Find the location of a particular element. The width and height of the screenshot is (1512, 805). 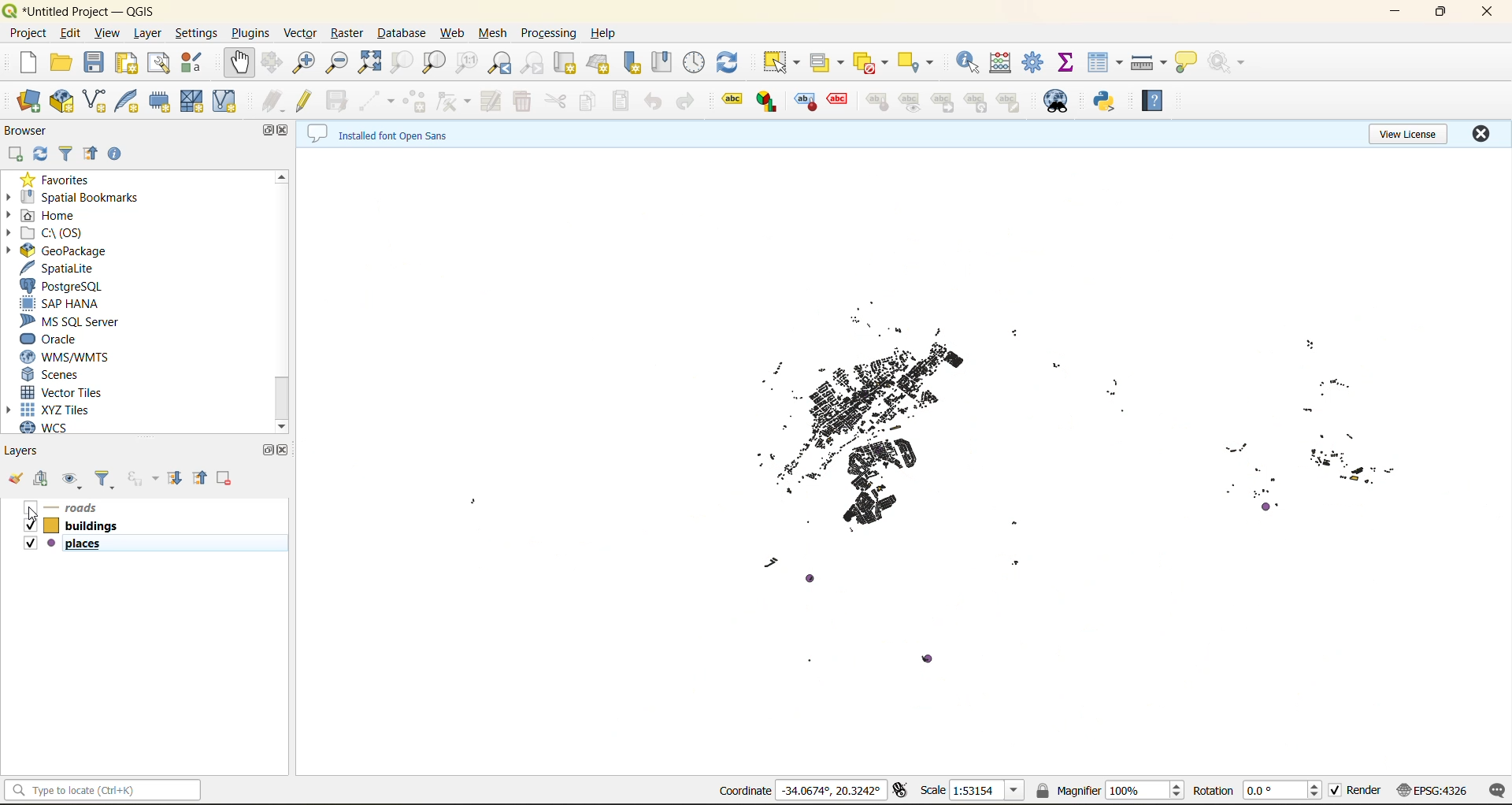

labels toolbar 1 is located at coordinates (732, 97).